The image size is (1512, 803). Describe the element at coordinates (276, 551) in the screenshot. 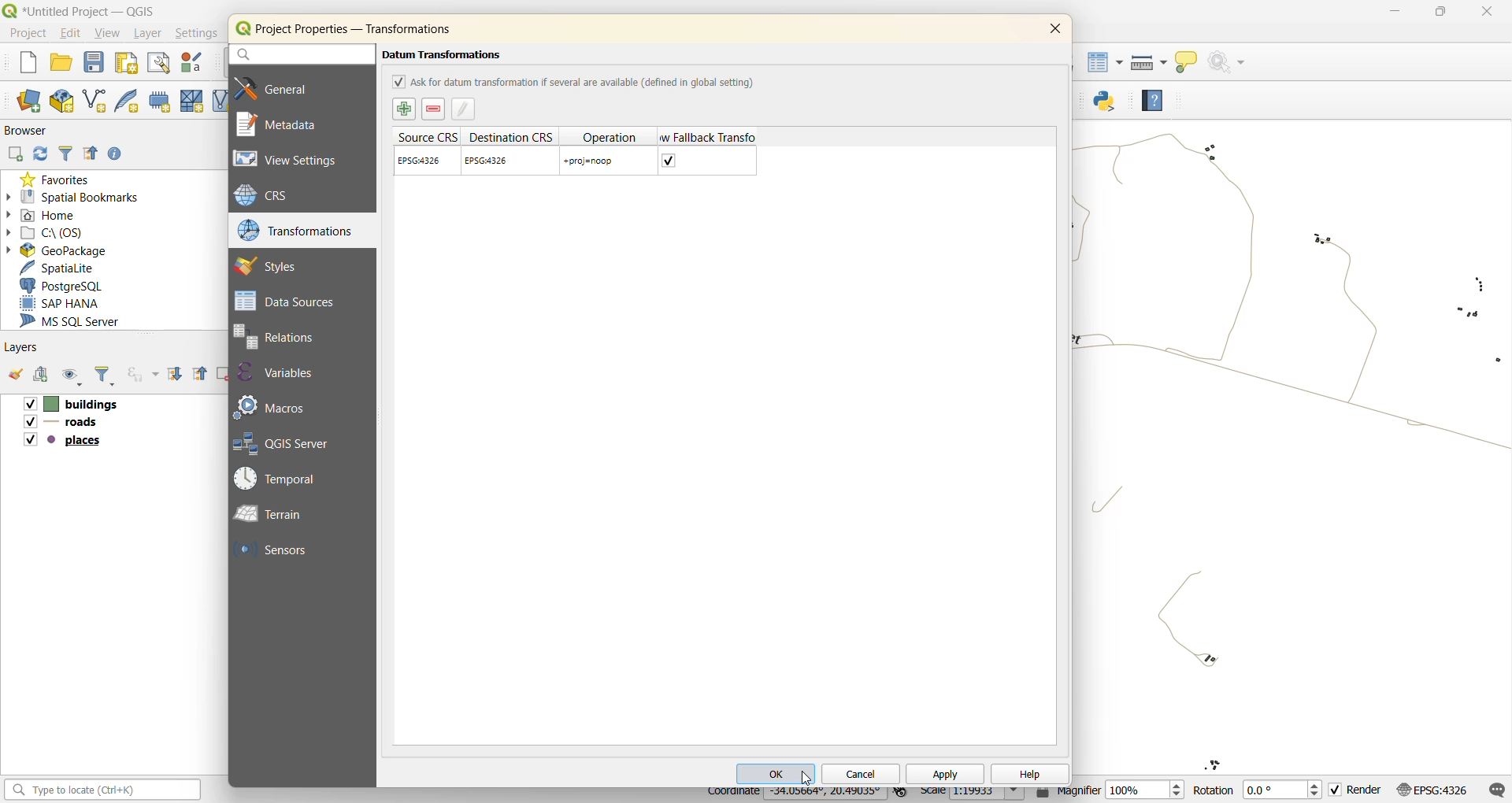

I see `sensors` at that location.